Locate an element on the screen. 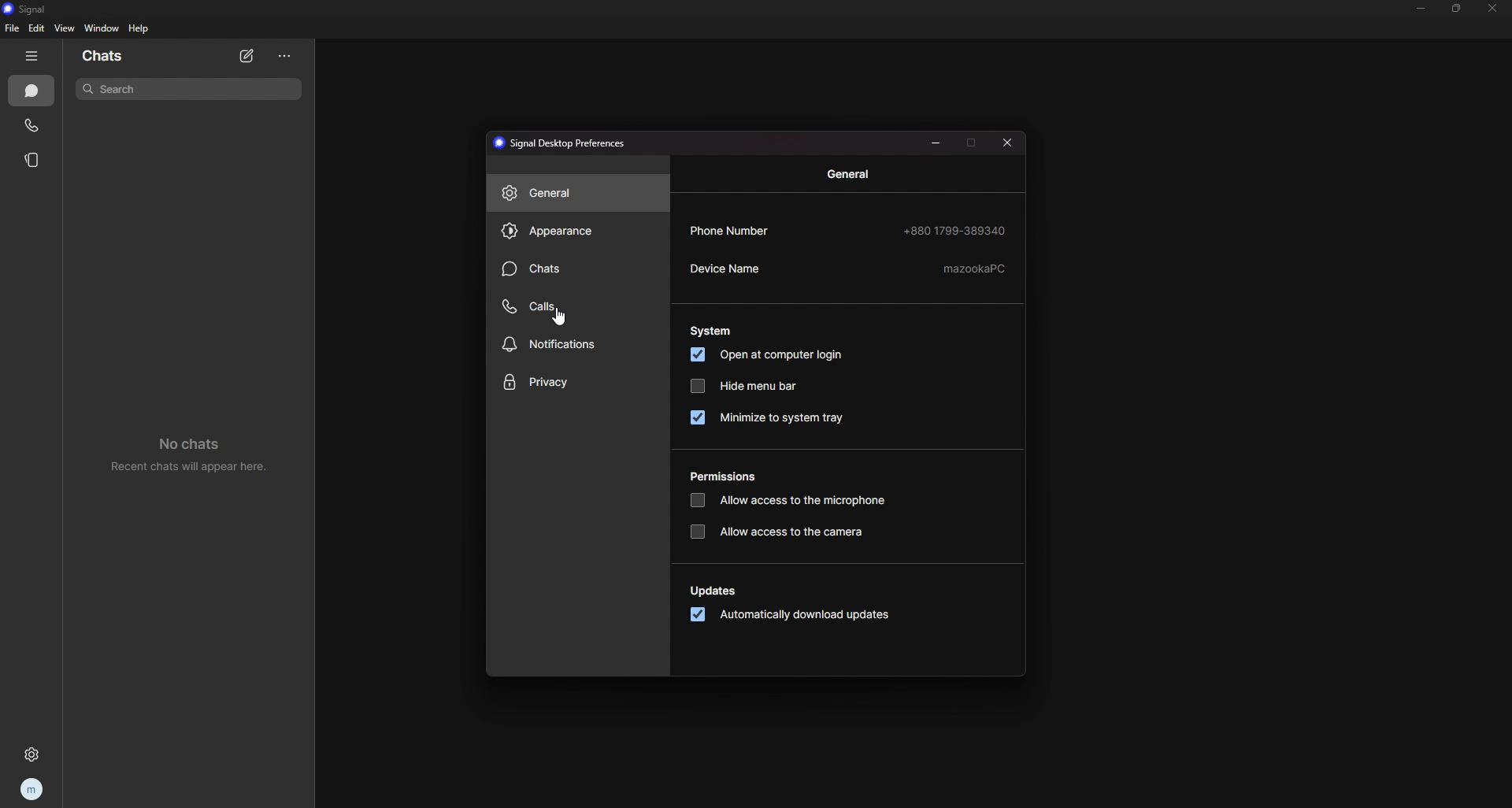  edit is located at coordinates (38, 28).